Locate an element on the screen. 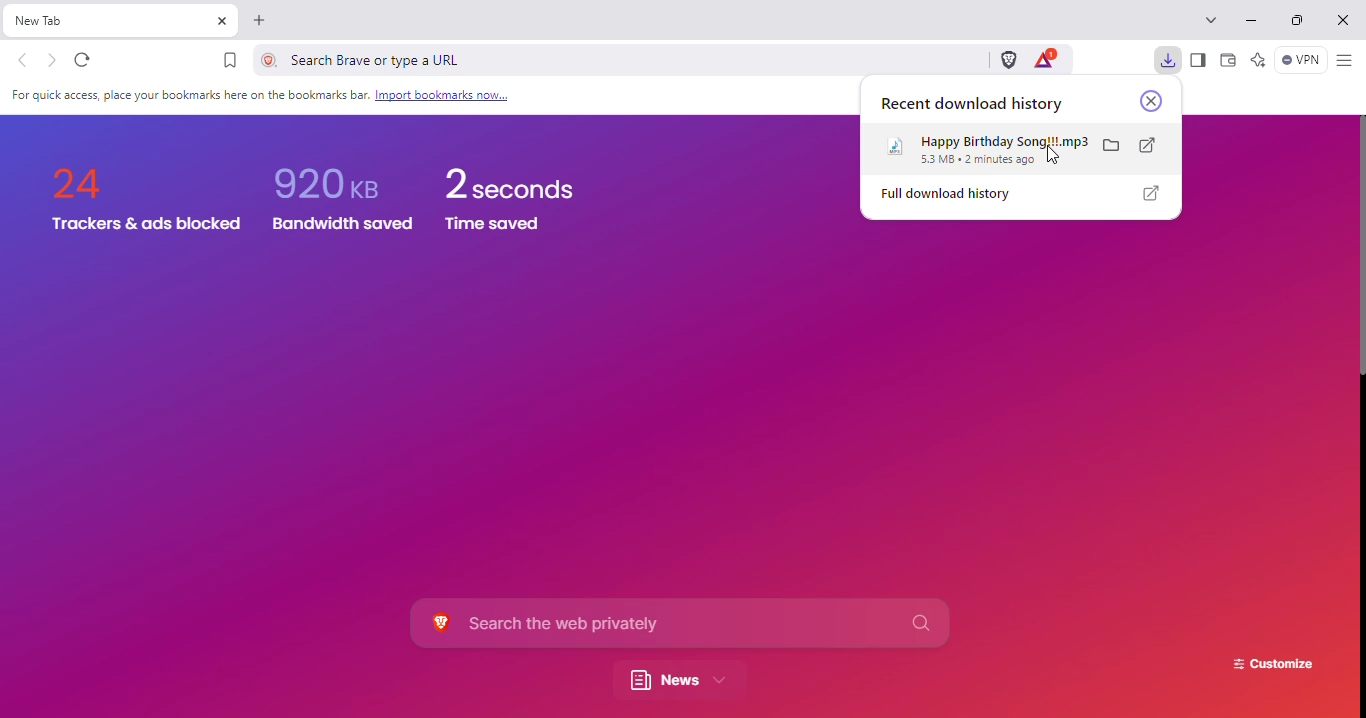 This screenshot has height=718, width=1366. news is located at coordinates (676, 681).